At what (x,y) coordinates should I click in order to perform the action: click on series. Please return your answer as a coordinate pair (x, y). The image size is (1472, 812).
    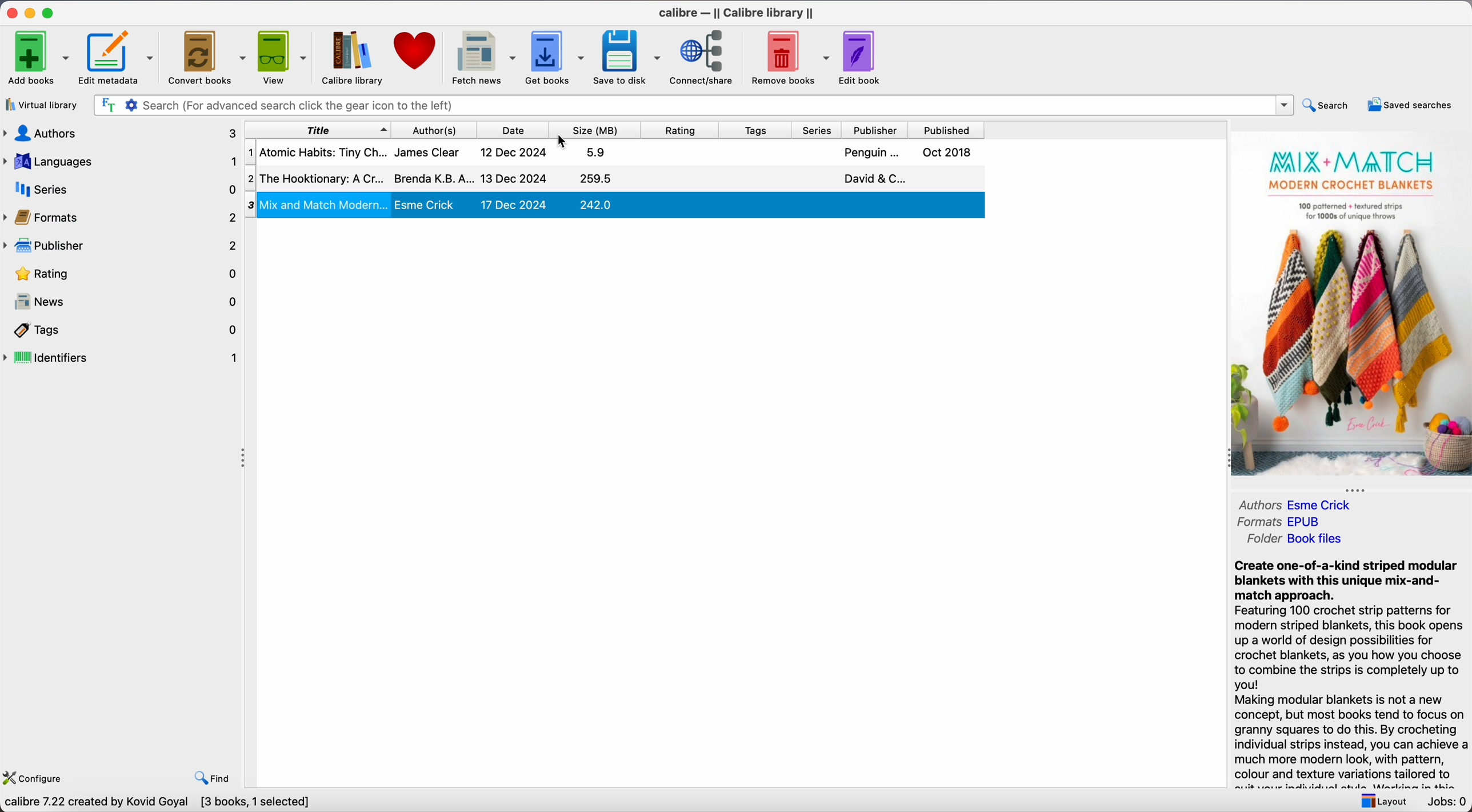
    Looking at the image, I should click on (119, 189).